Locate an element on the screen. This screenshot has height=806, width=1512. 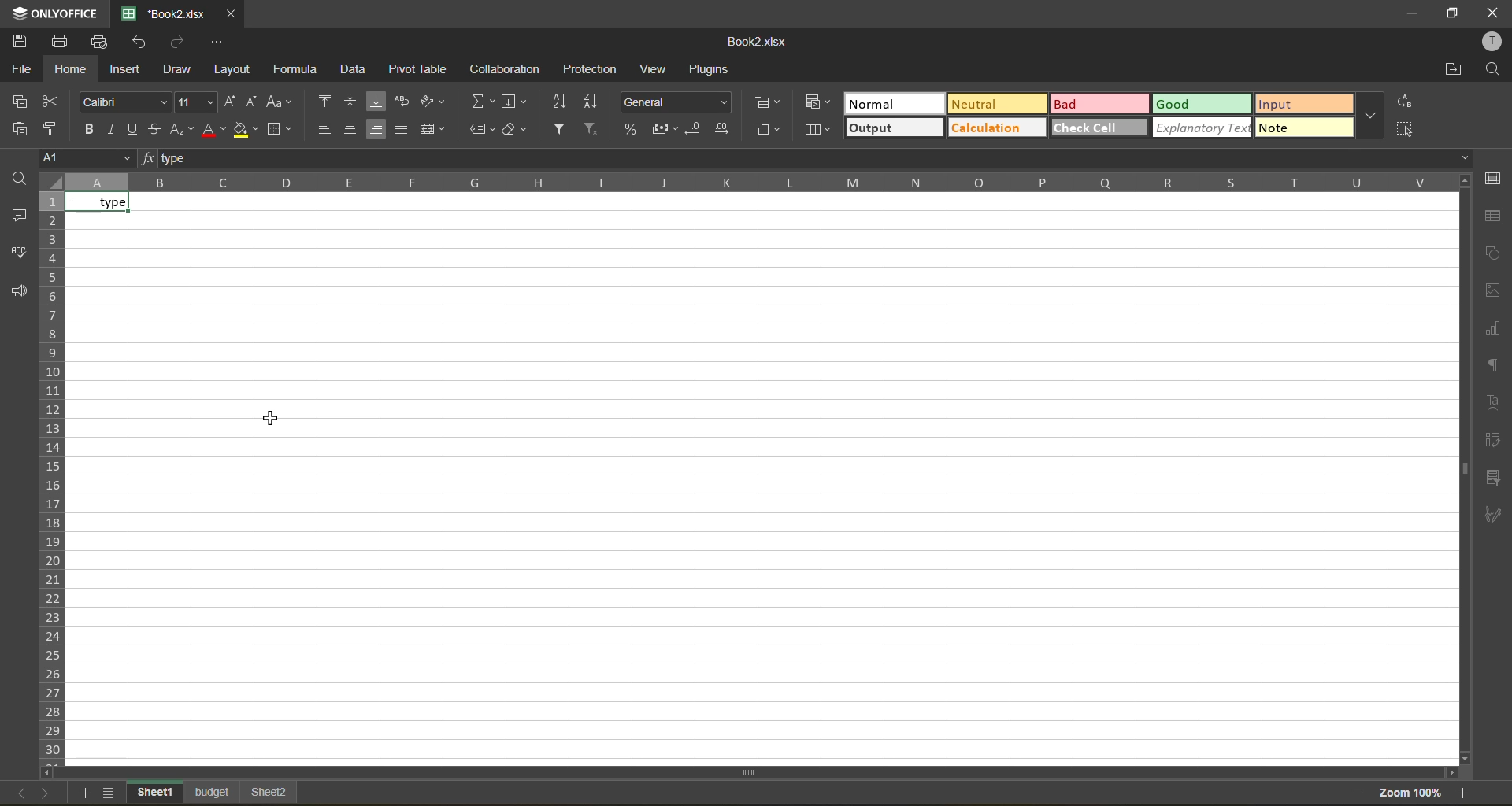
data is located at coordinates (357, 70).